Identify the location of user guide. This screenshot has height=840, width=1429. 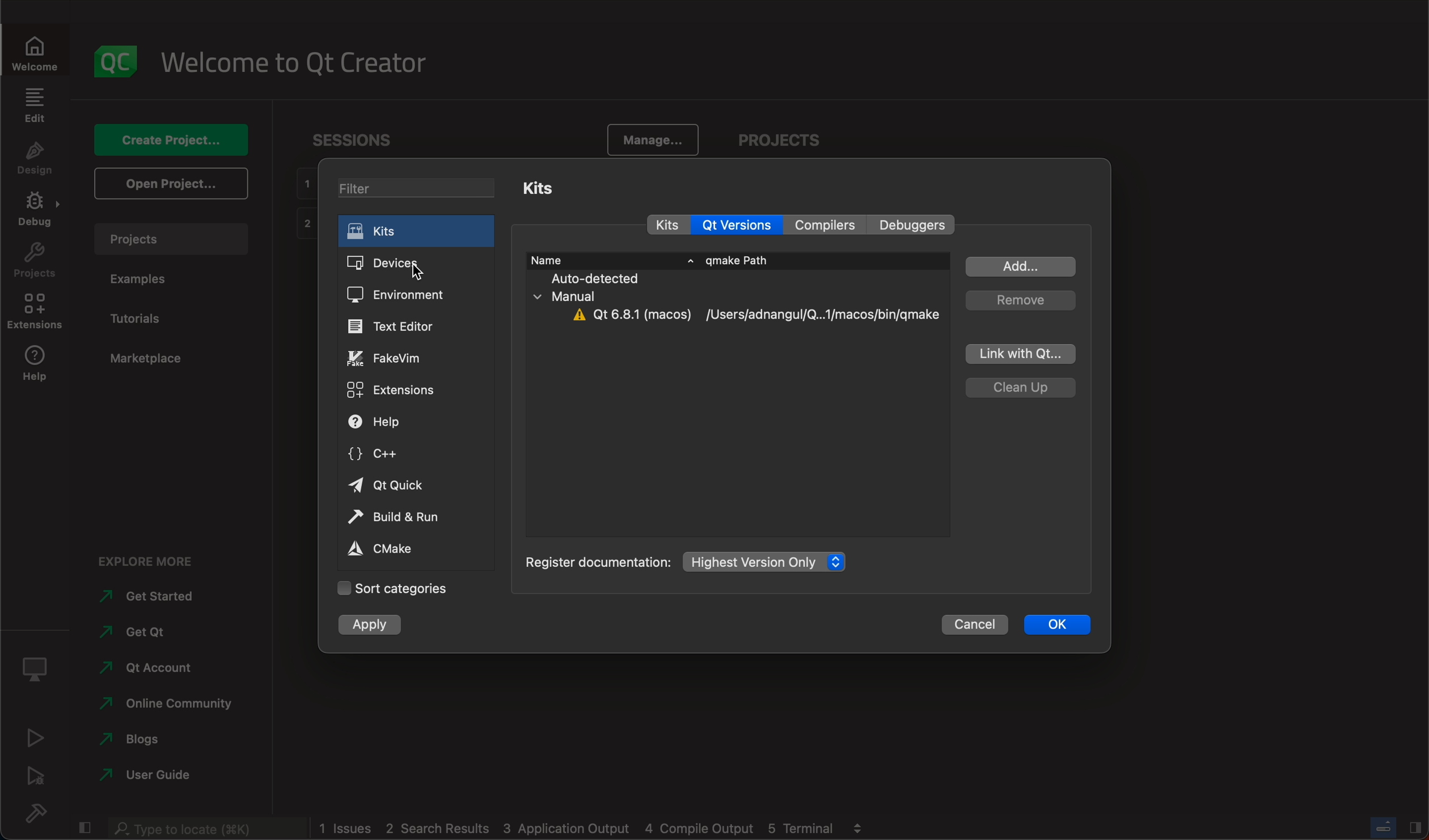
(164, 773).